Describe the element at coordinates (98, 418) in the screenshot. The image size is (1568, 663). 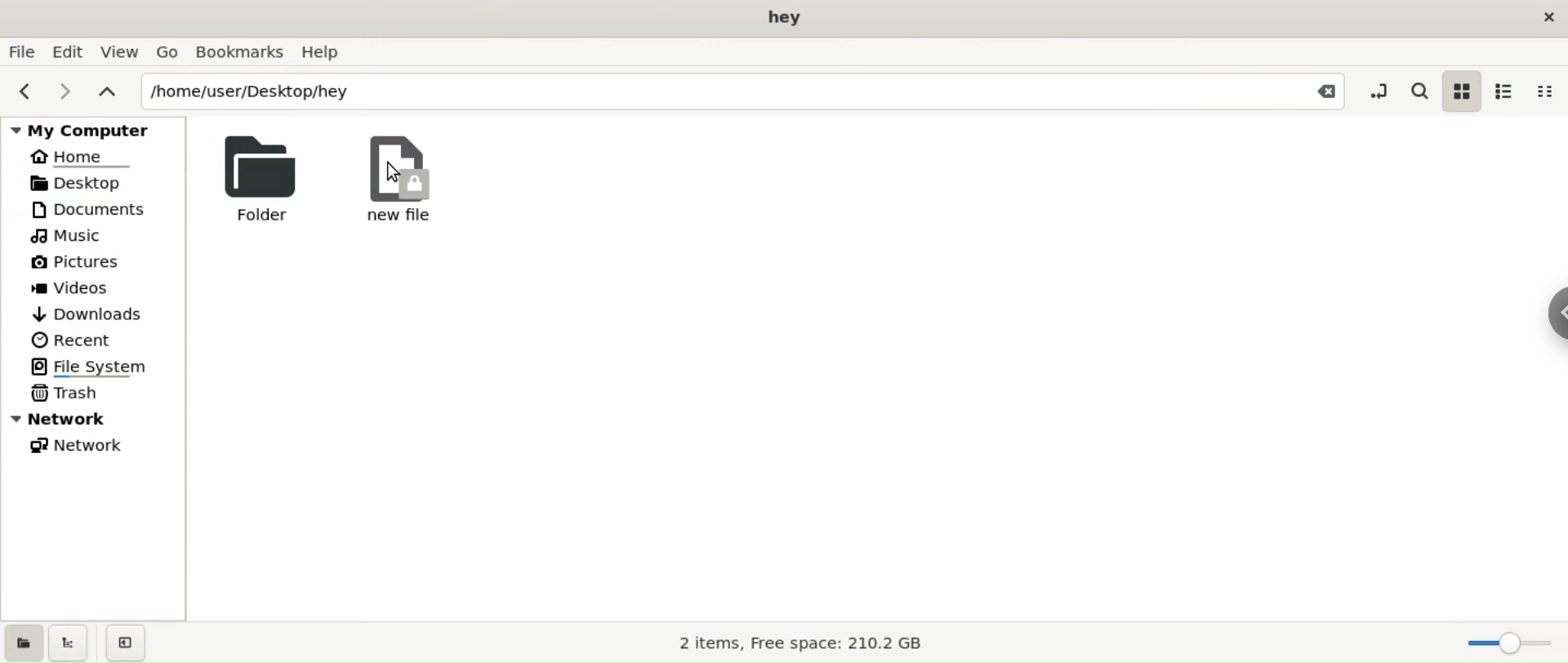
I see `Network` at that location.